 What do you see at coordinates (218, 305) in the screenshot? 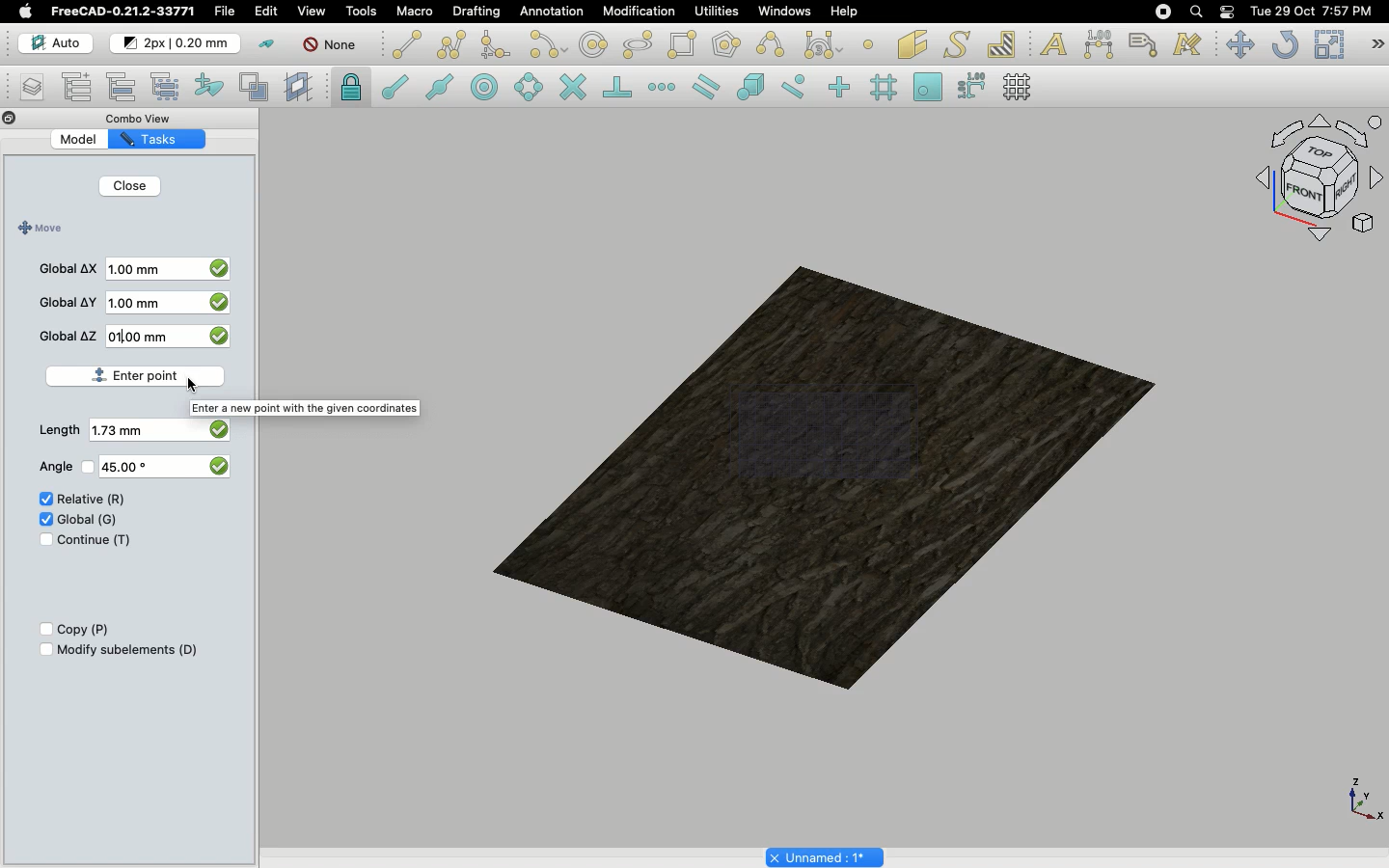
I see `checkbox` at bounding box center [218, 305].